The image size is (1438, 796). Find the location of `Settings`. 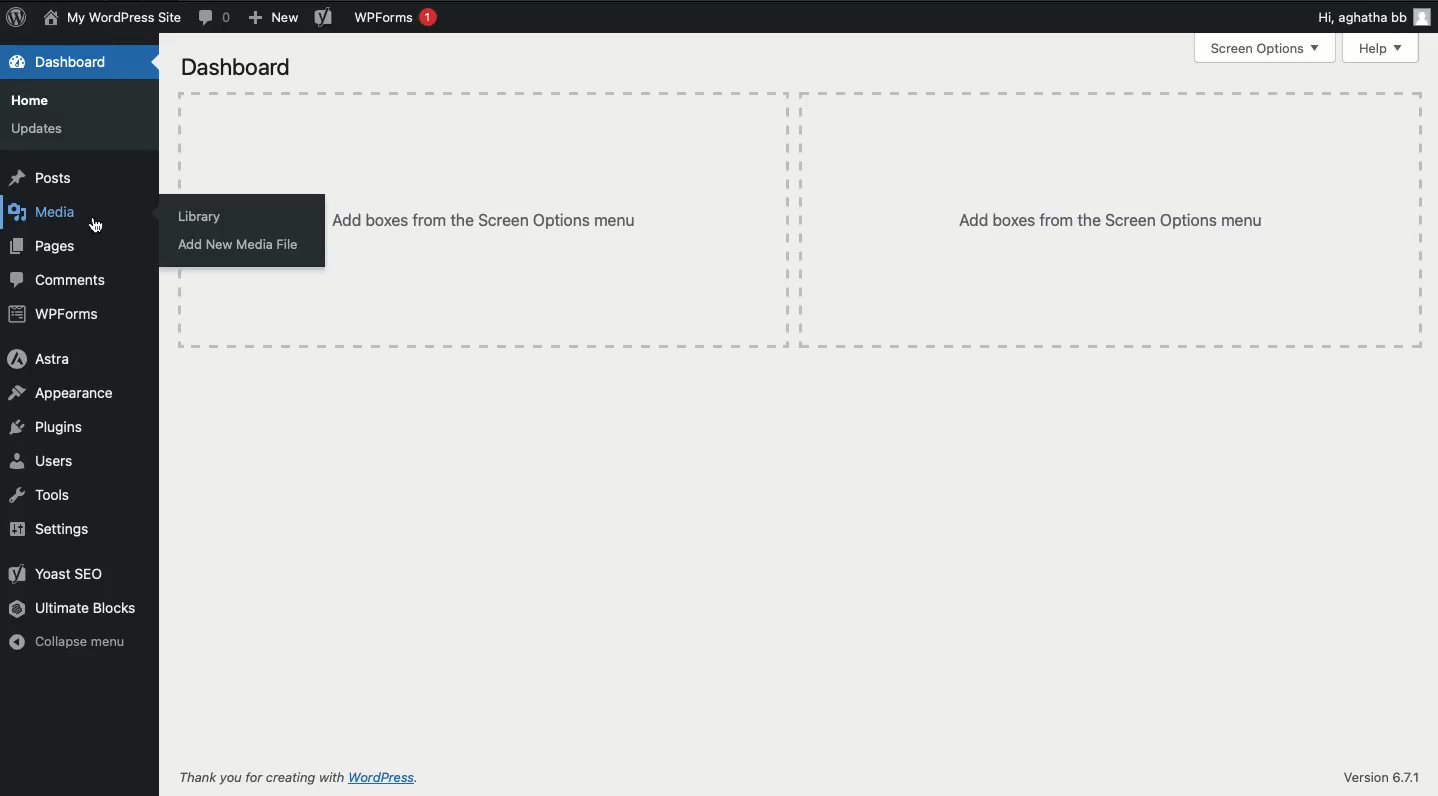

Settings is located at coordinates (48, 529).